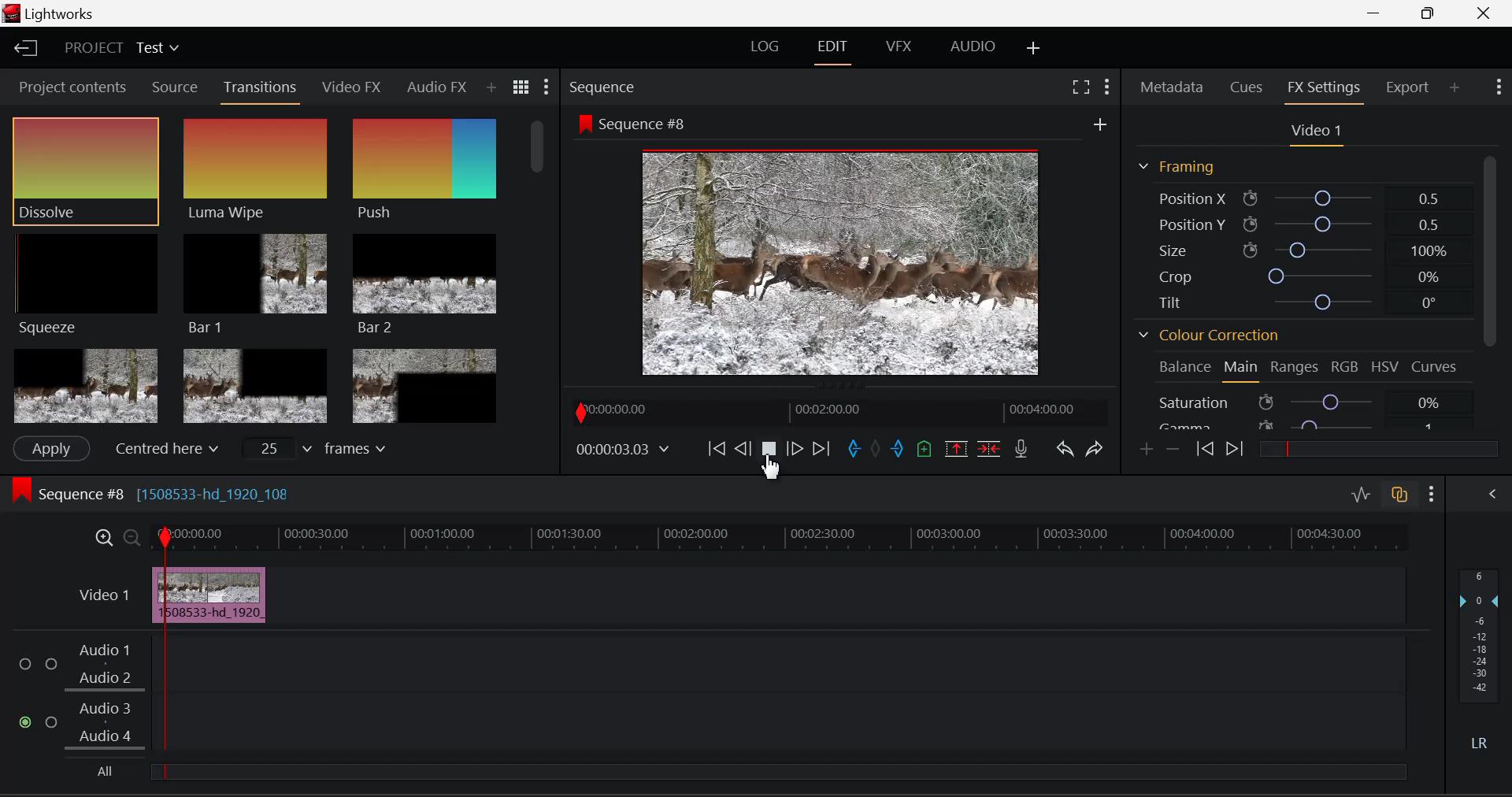 This screenshot has width=1512, height=797. I want to click on Sequence #8 Editing Section, so click(198, 496).